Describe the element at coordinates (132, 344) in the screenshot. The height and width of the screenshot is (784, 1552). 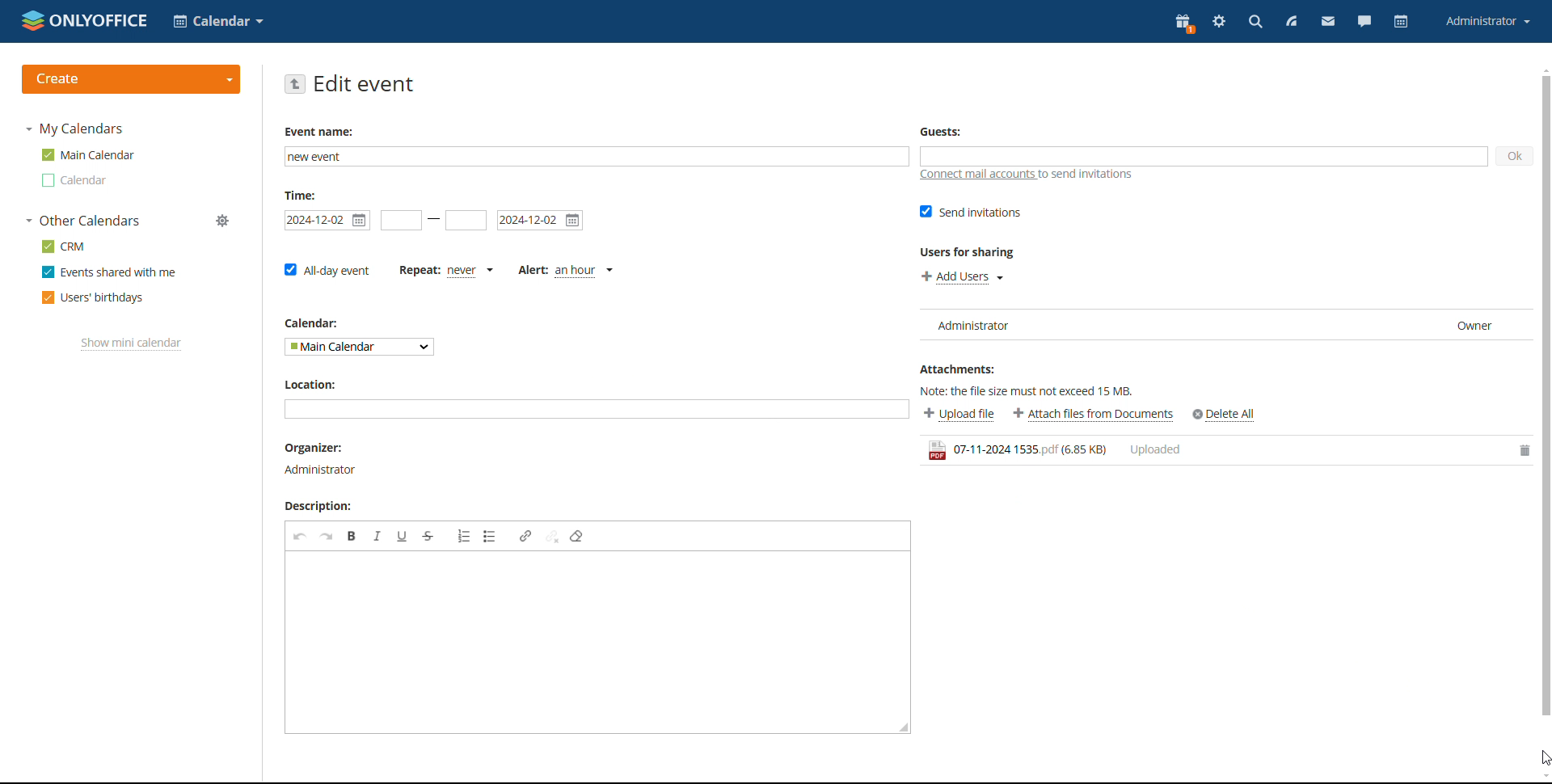
I see `show mini calendar` at that location.